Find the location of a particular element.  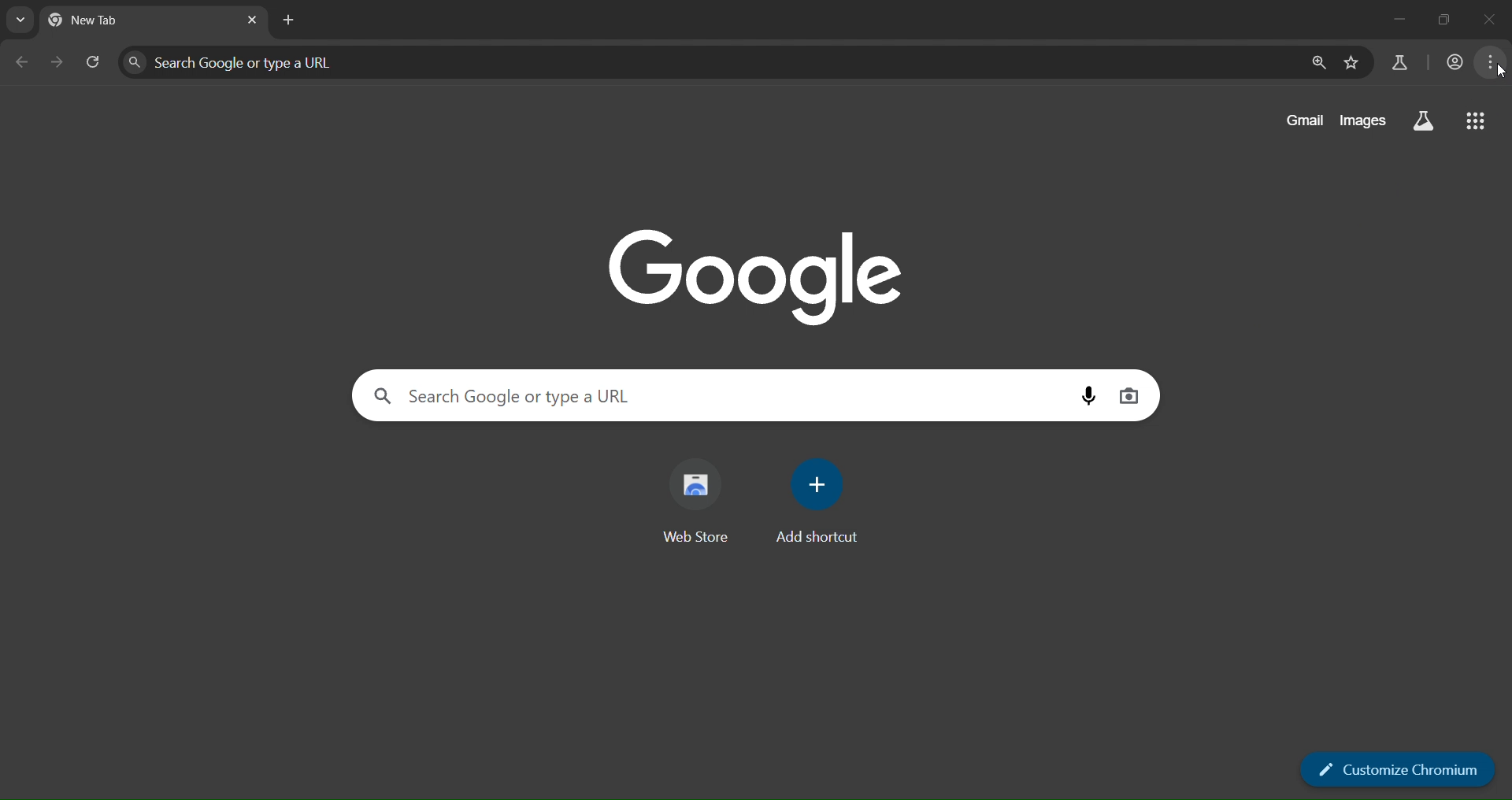

go forward page is located at coordinates (61, 61).